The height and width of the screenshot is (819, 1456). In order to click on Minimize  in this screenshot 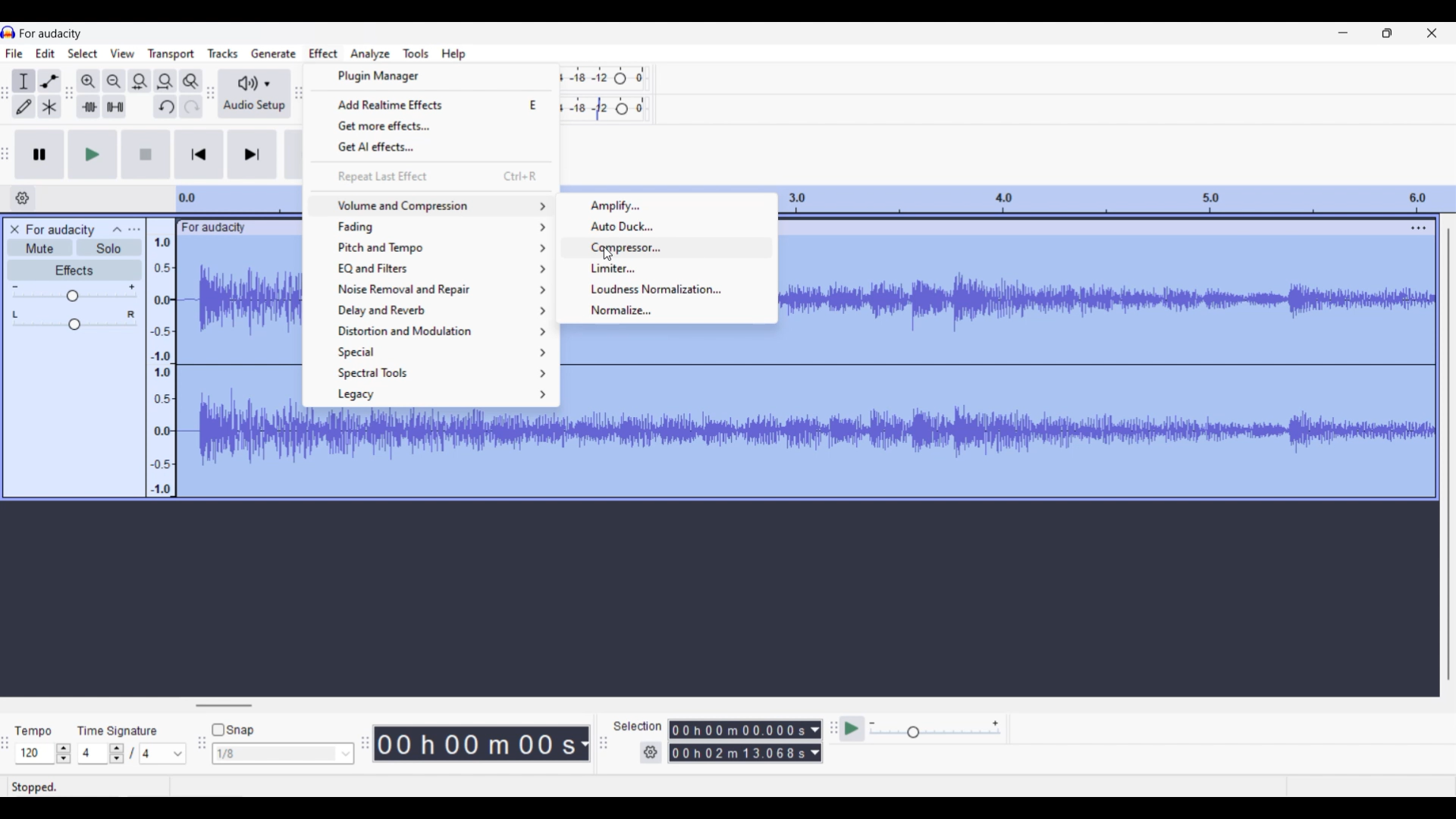, I will do `click(1343, 33)`.